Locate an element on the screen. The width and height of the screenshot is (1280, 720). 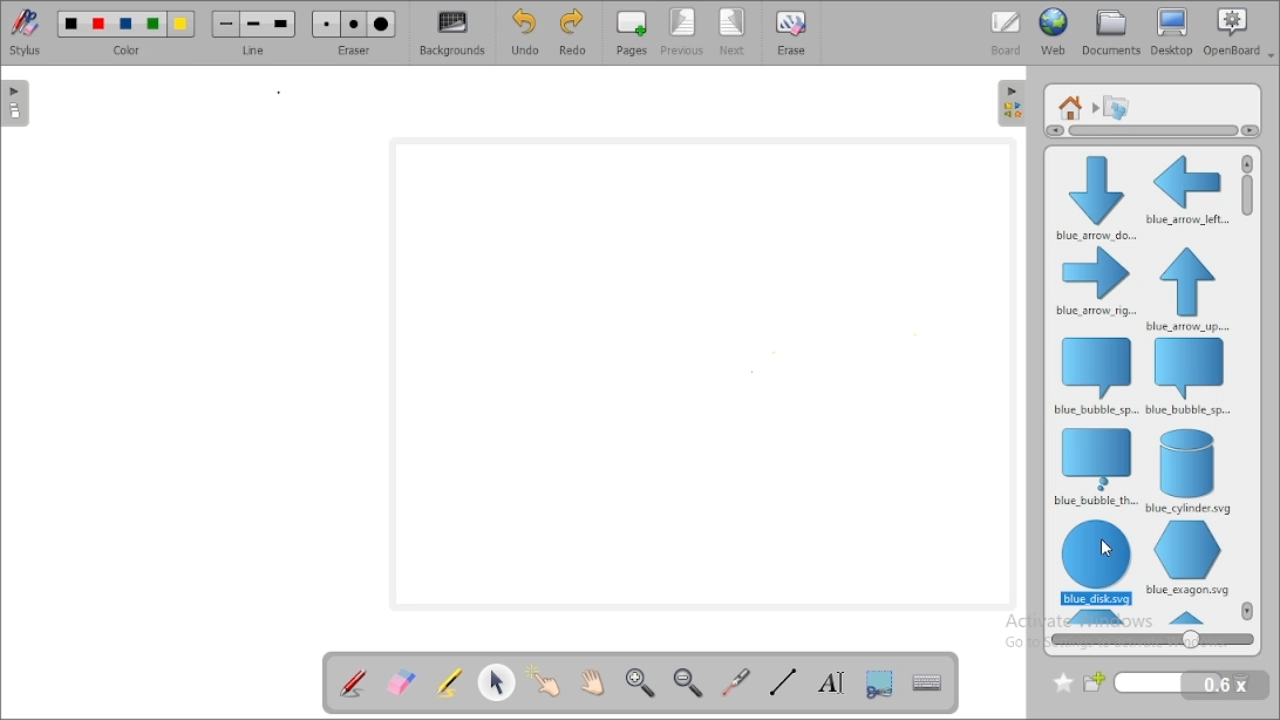
blue bubble speak left is located at coordinates (1190, 377).